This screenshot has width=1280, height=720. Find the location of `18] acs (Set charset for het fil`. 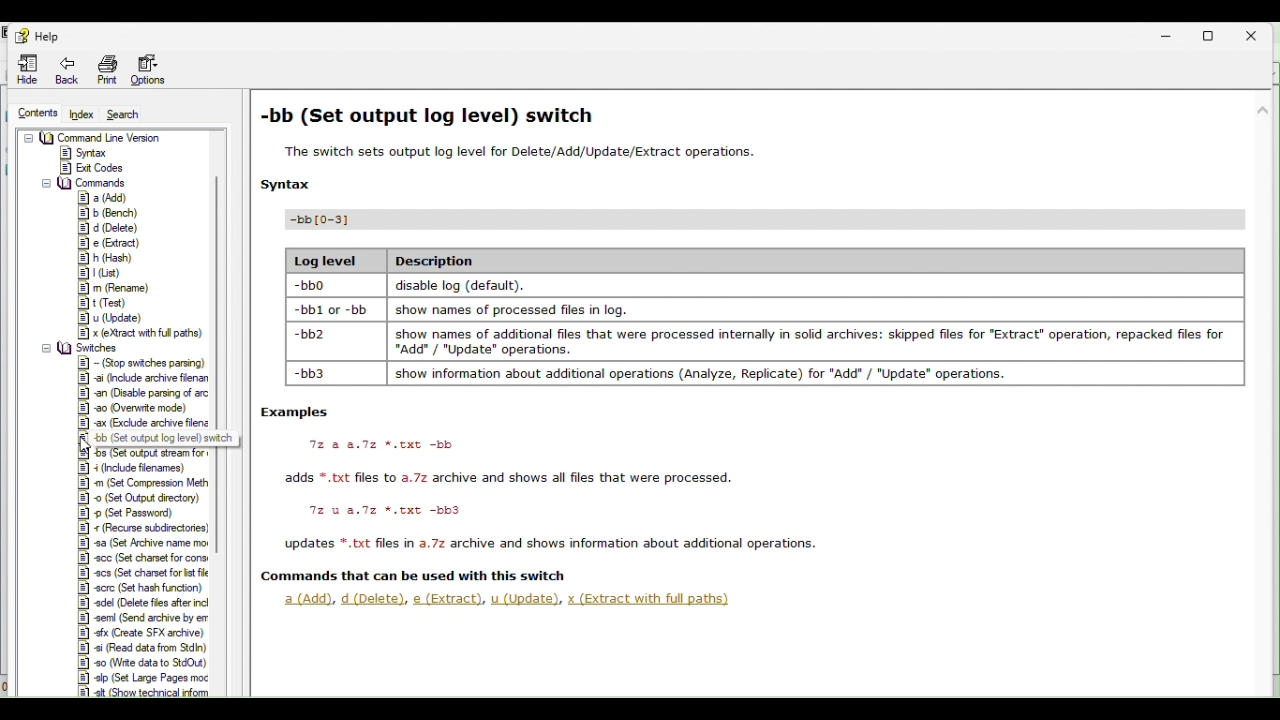

18] acs (Set charset for het fil is located at coordinates (141, 572).